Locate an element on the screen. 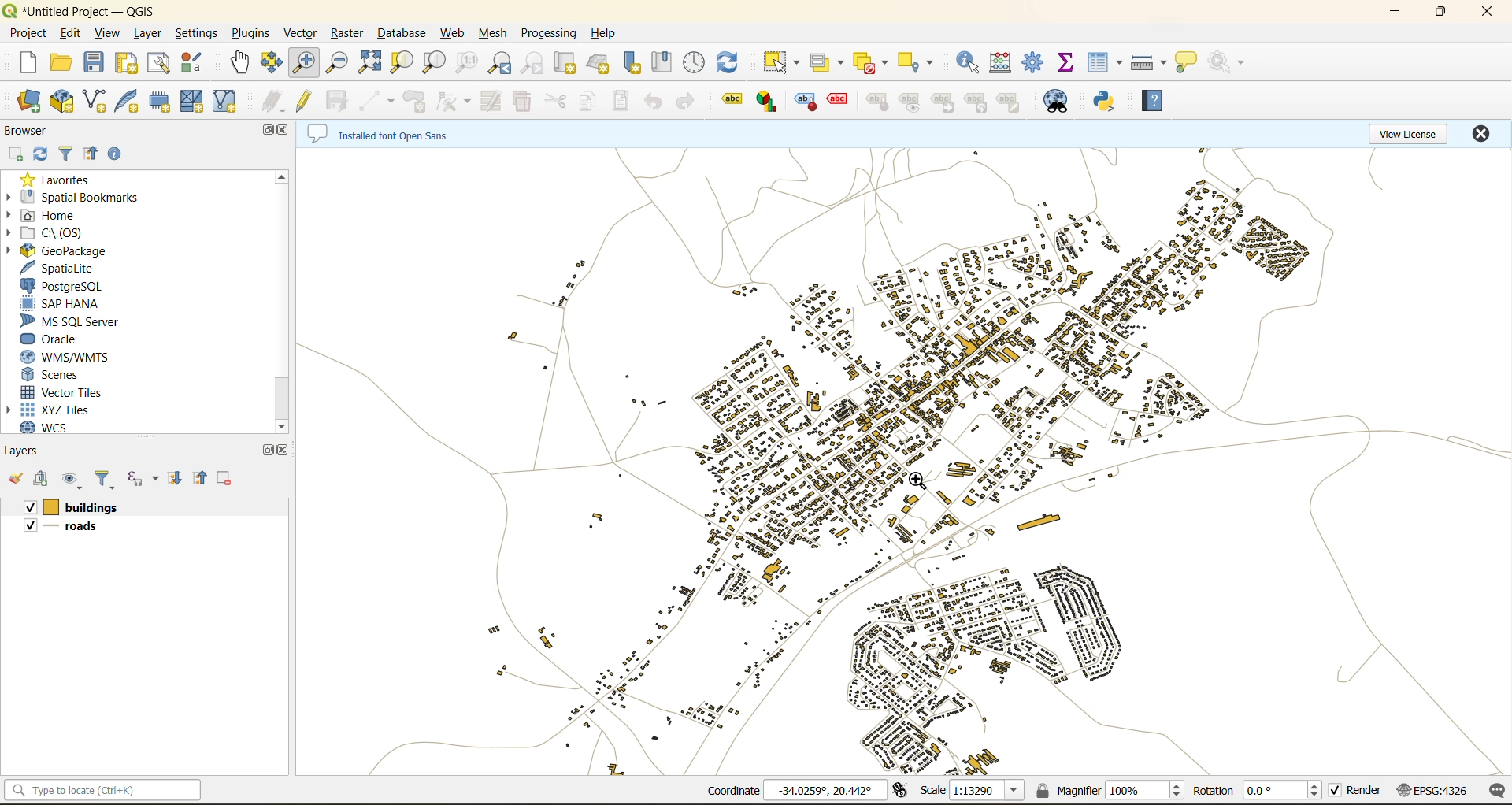  Checkbox is located at coordinates (28, 528).